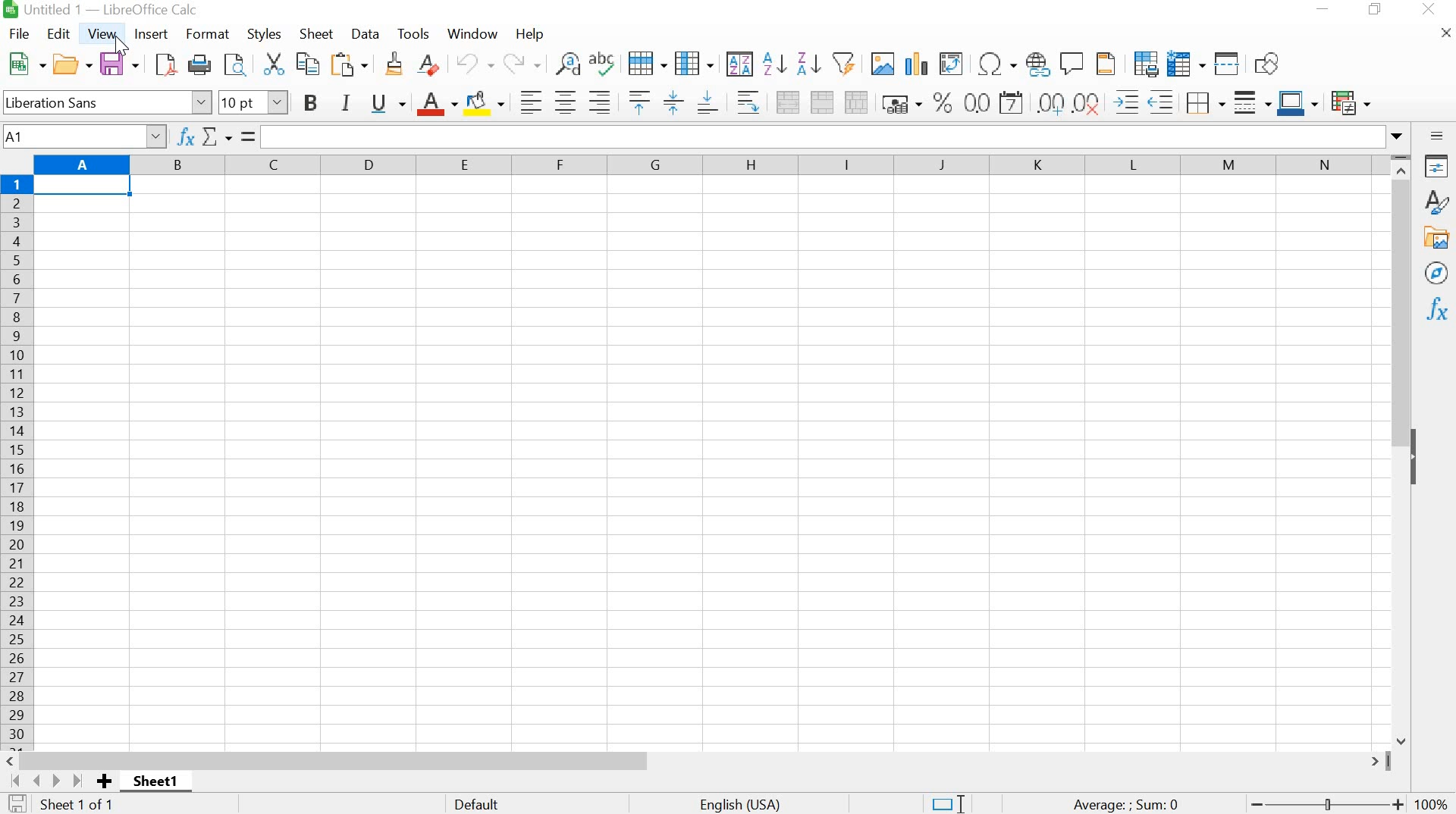 Image resolution: width=1456 pixels, height=814 pixels. What do you see at coordinates (745, 102) in the screenshot?
I see `WRAP TEXT` at bounding box center [745, 102].